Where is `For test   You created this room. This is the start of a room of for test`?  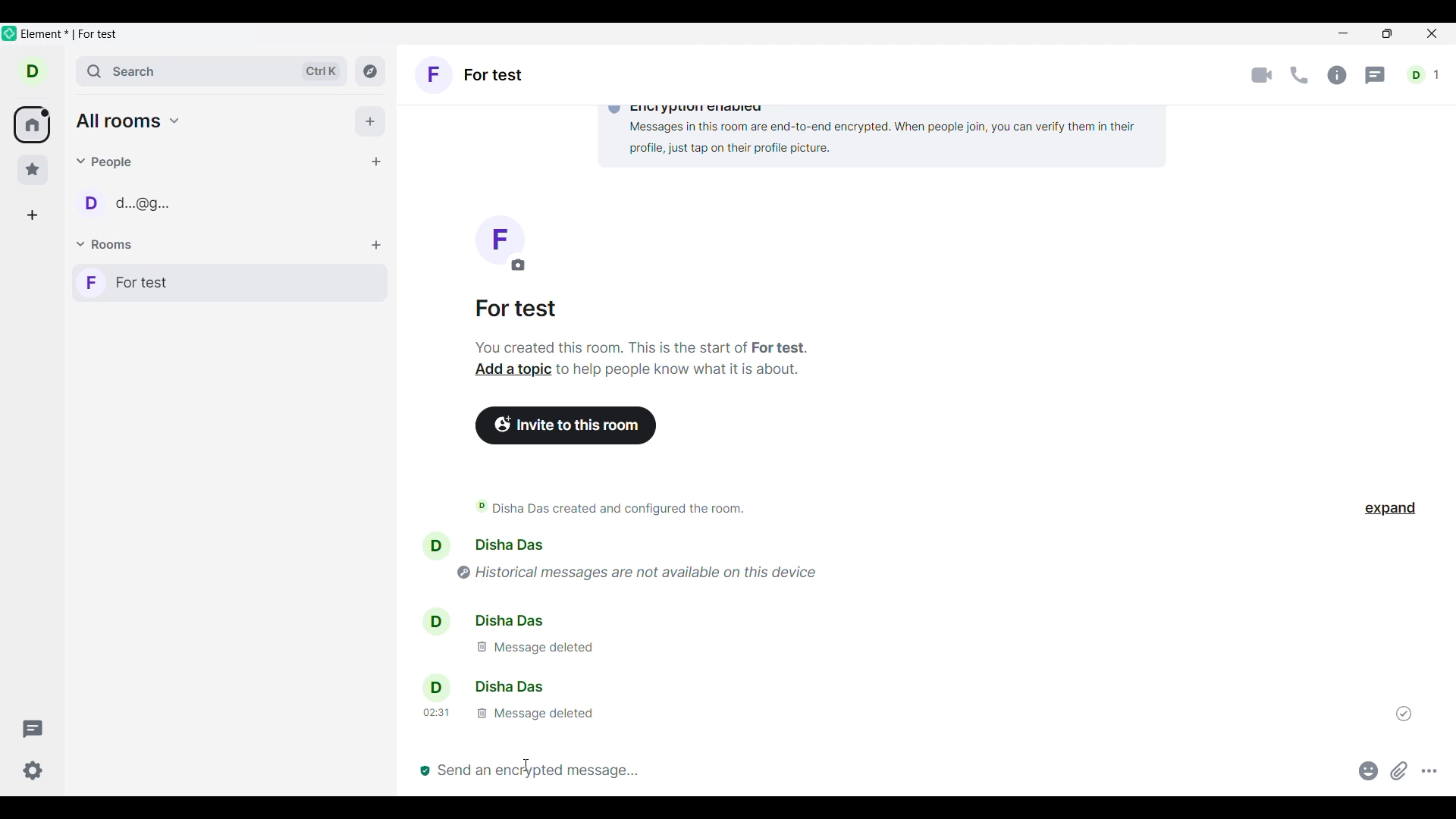
For test   You created this room. This is the start of a room of for test is located at coordinates (642, 328).